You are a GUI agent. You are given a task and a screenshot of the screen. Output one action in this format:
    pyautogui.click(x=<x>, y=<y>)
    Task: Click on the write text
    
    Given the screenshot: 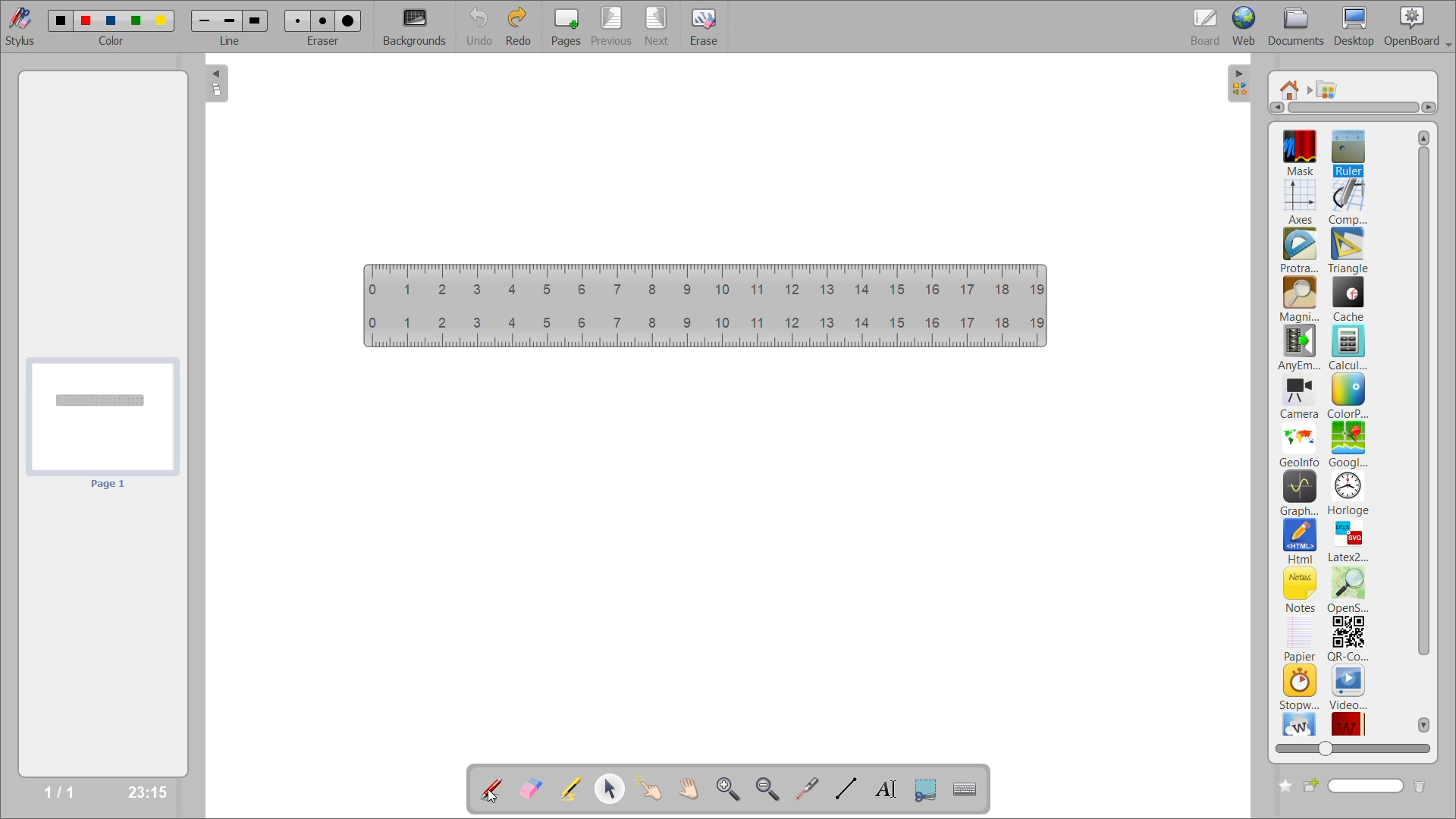 What is the action you would take?
    pyautogui.click(x=885, y=789)
    